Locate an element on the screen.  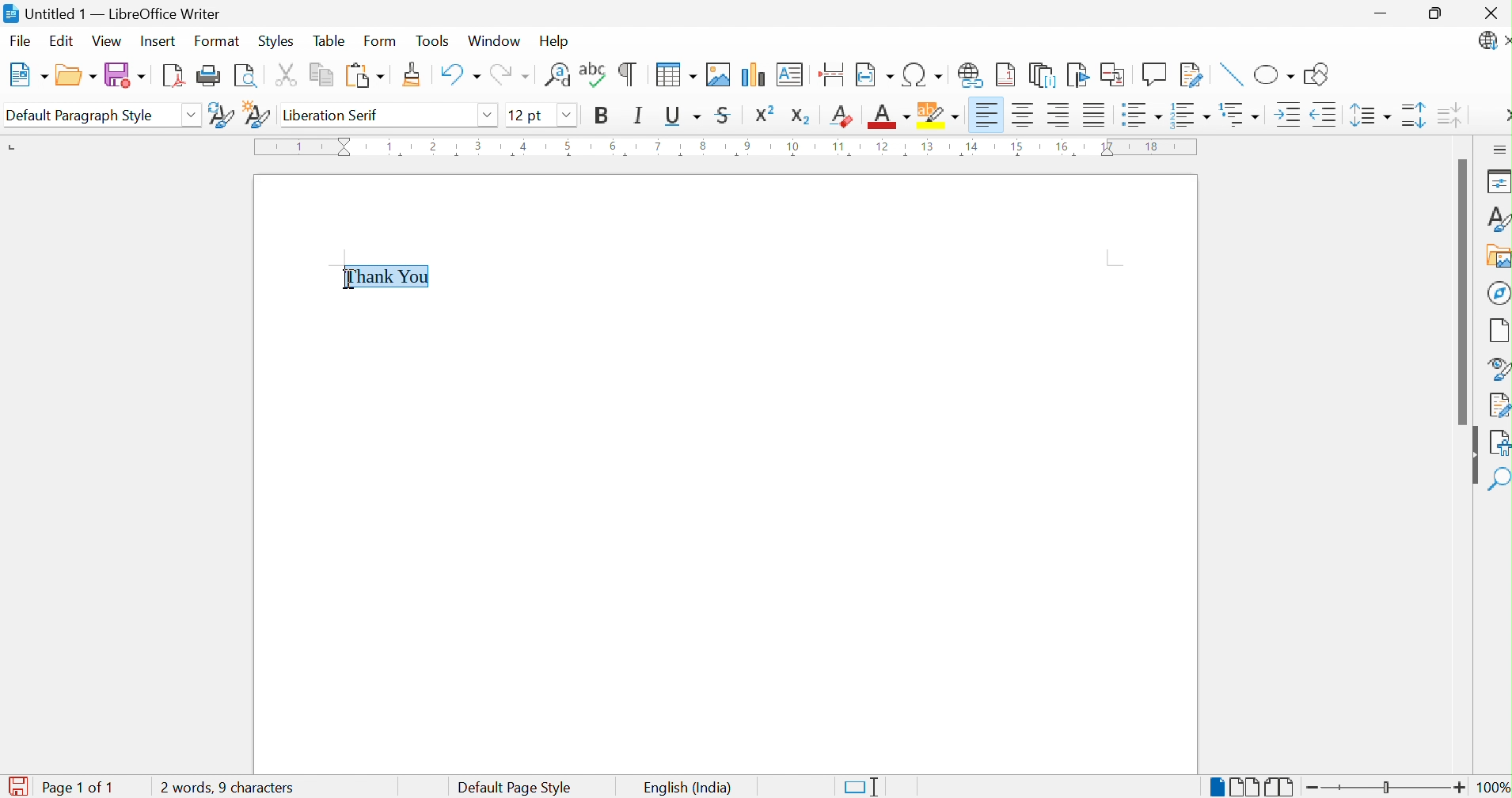
Scroll Bar is located at coordinates (1457, 291).